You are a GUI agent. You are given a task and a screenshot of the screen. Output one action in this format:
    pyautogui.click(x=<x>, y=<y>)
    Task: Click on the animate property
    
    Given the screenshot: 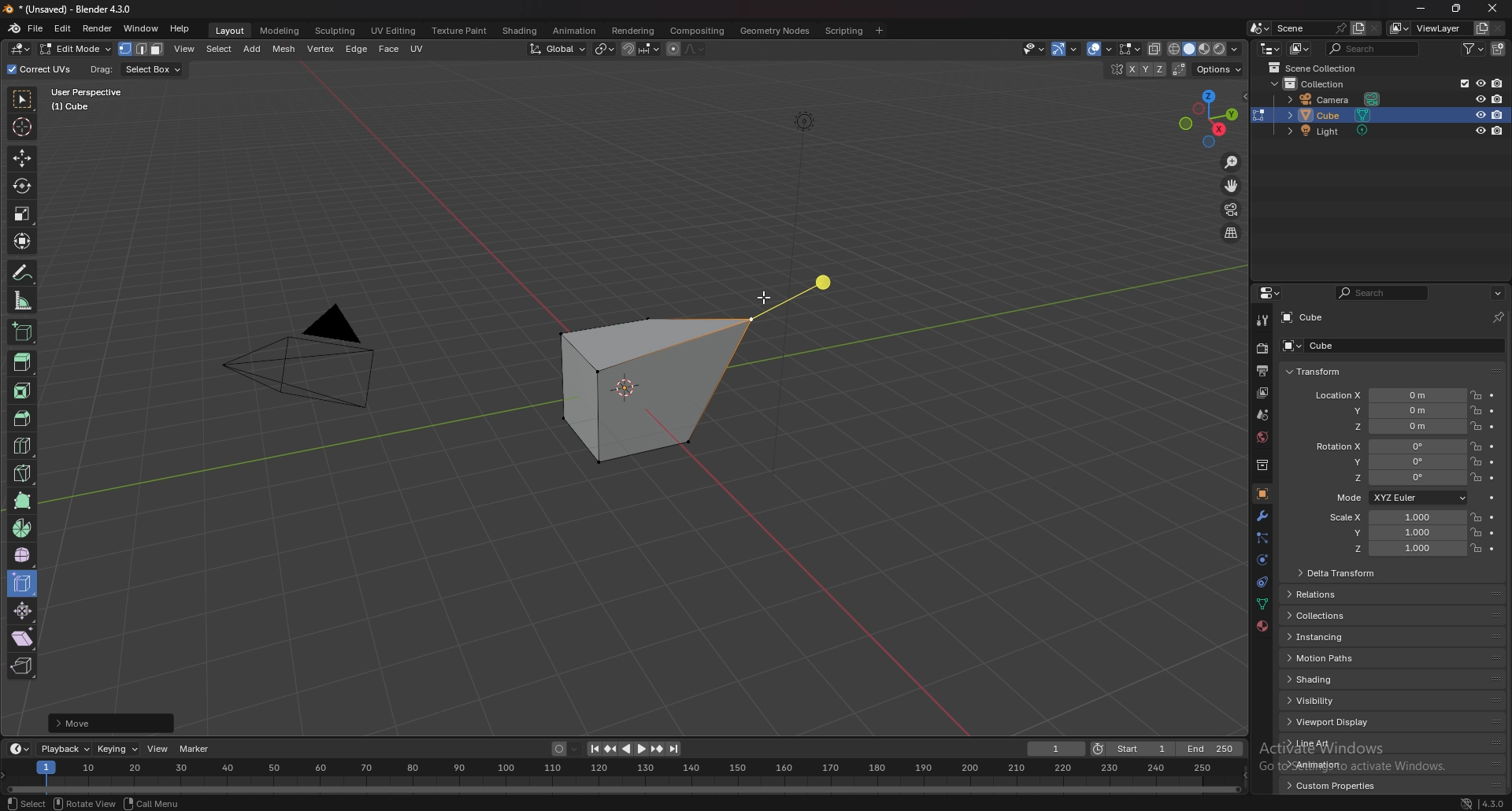 What is the action you would take?
    pyautogui.click(x=1491, y=497)
    